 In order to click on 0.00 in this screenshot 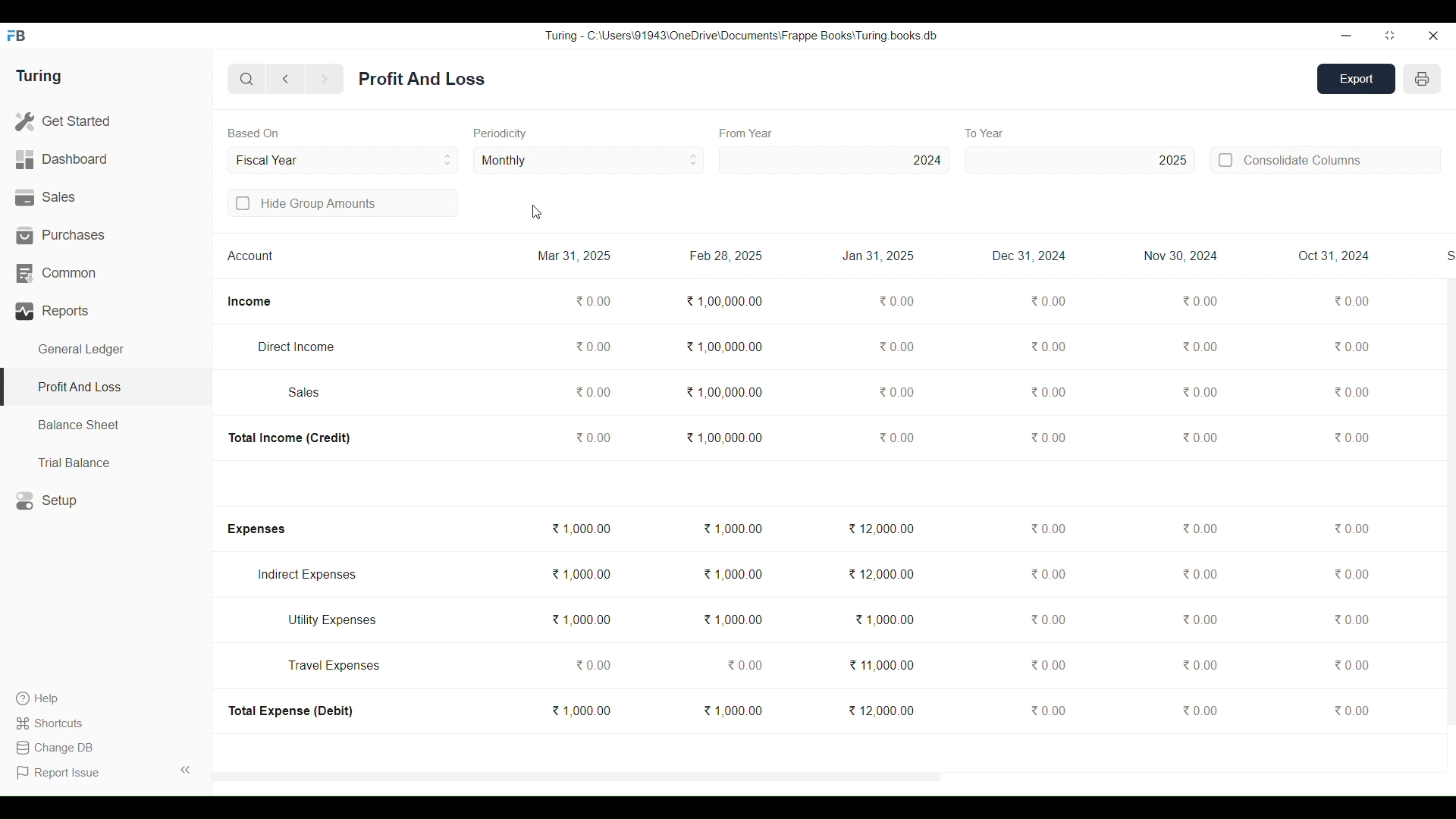, I will do `click(1046, 664)`.